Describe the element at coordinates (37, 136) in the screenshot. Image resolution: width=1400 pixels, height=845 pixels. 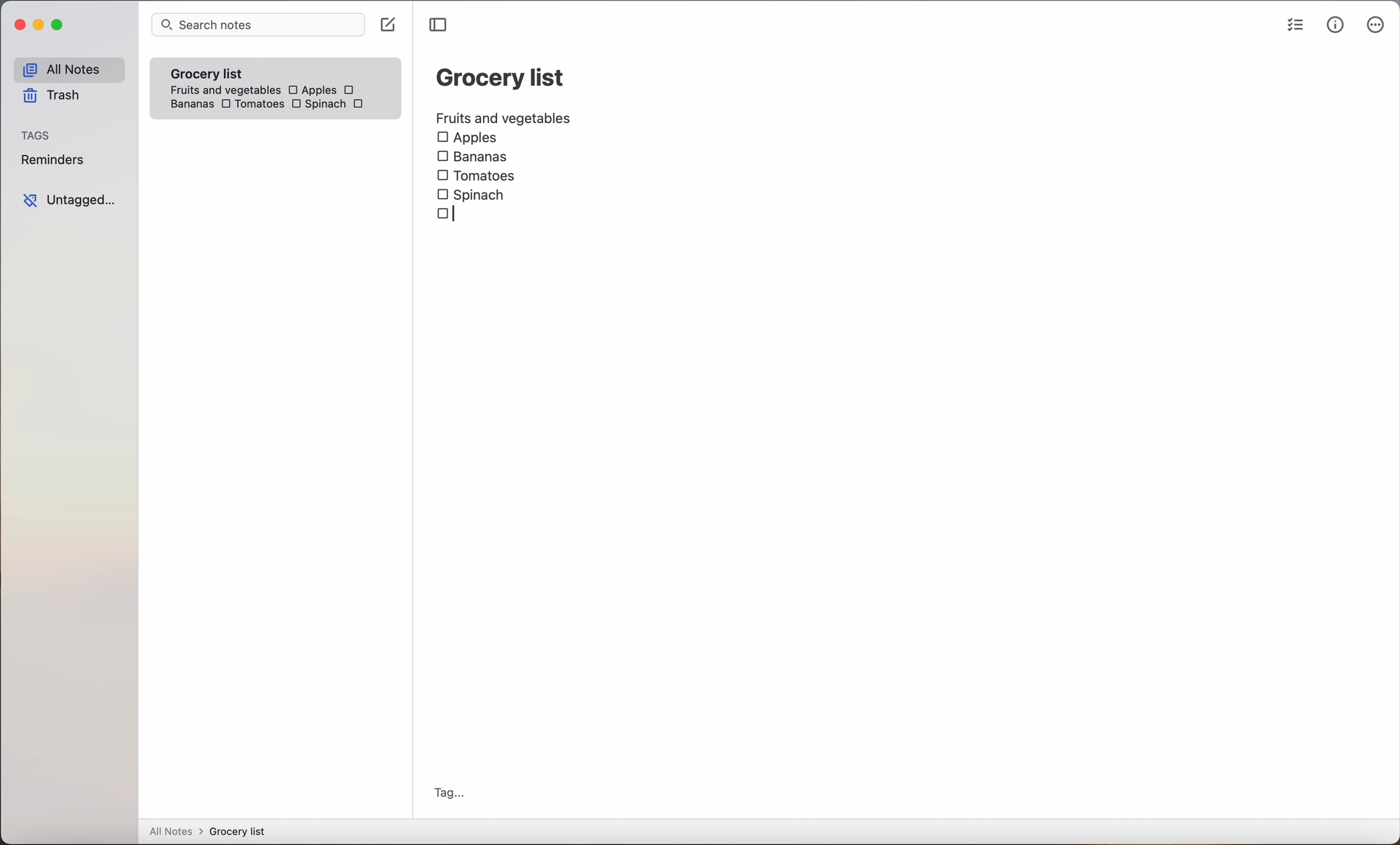
I see `tags` at that location.